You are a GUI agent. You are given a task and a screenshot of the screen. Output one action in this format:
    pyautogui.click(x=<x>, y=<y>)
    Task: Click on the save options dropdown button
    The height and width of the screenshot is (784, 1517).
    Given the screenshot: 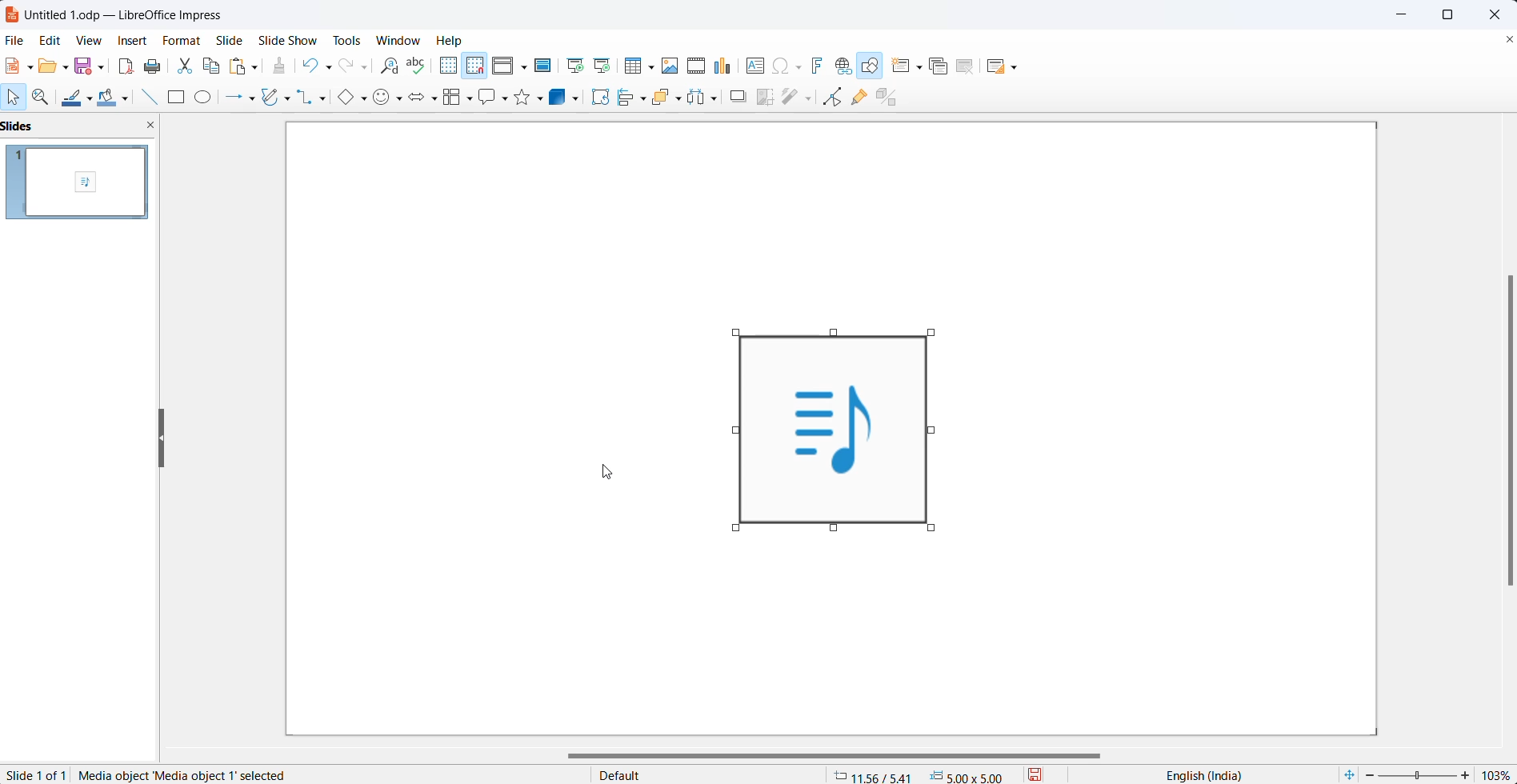 What is the action you would take?
    pyautogui.click(x=104, y=64)
    